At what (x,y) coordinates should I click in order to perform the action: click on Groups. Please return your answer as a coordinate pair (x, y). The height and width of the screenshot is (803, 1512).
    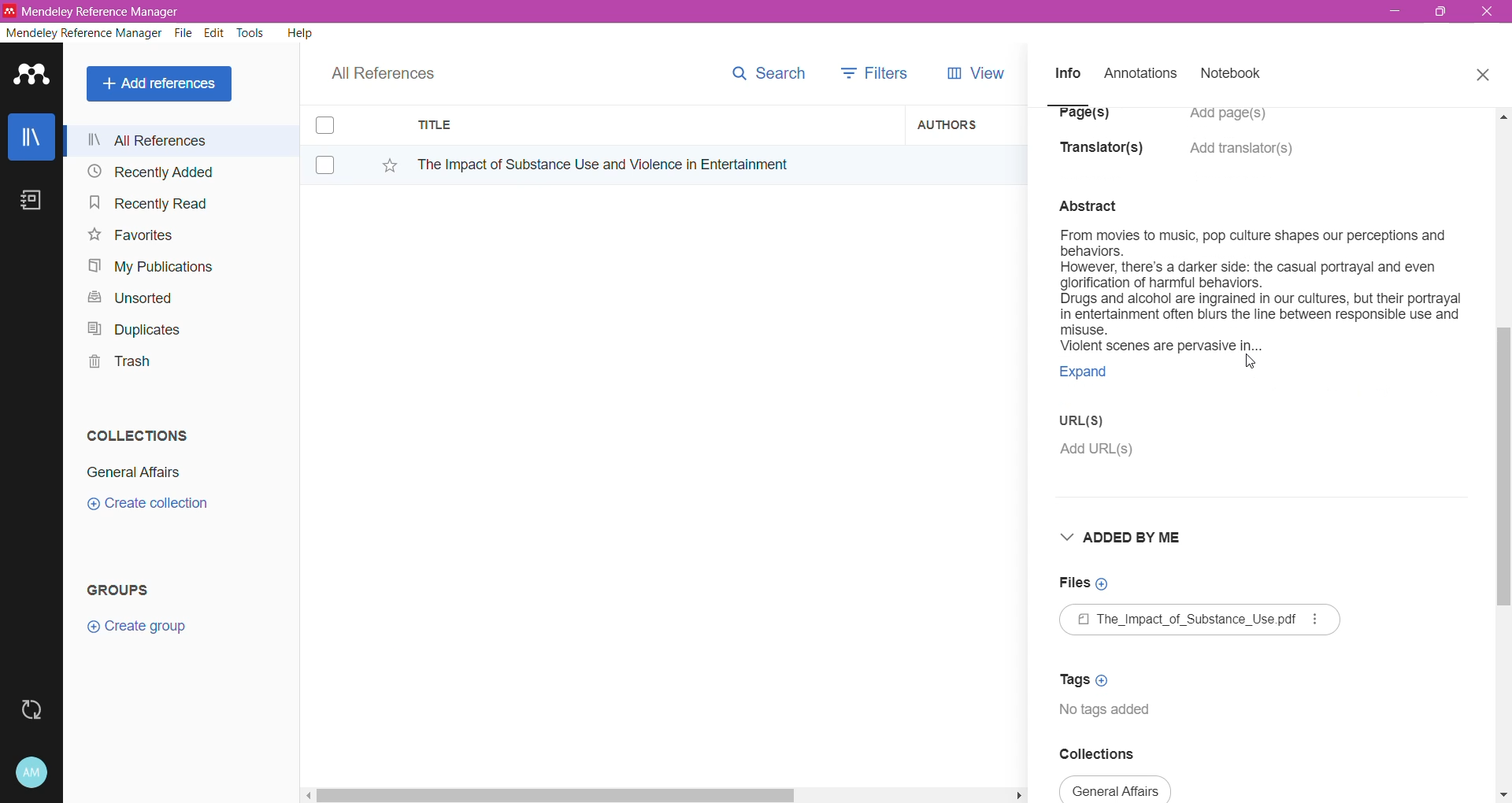
    Looking at the image, I should click on (124, 589).